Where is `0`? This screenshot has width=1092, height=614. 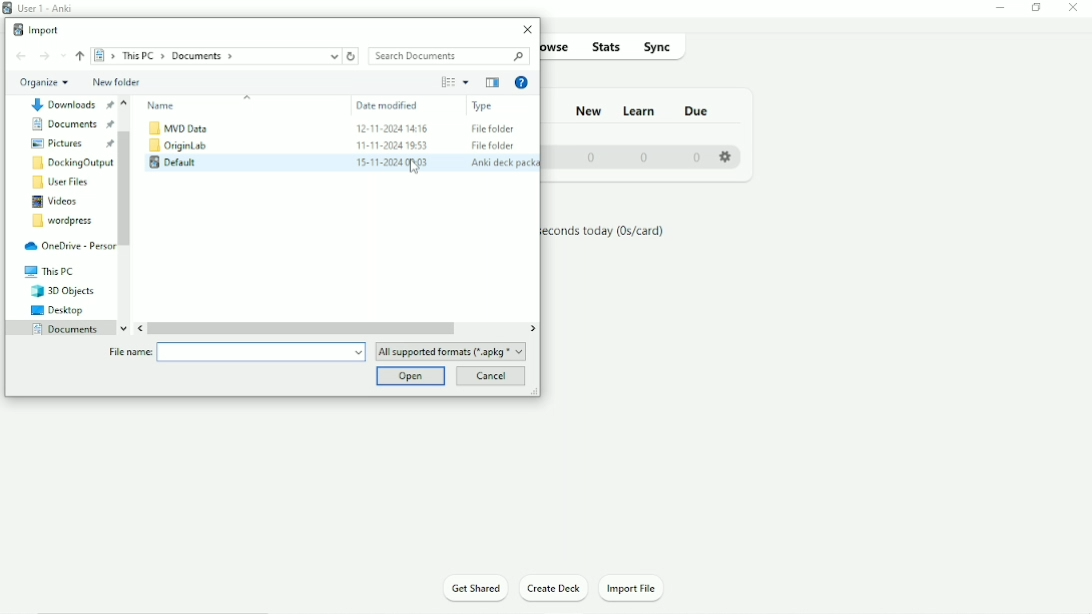 0 is located at coordinates (698, 157).